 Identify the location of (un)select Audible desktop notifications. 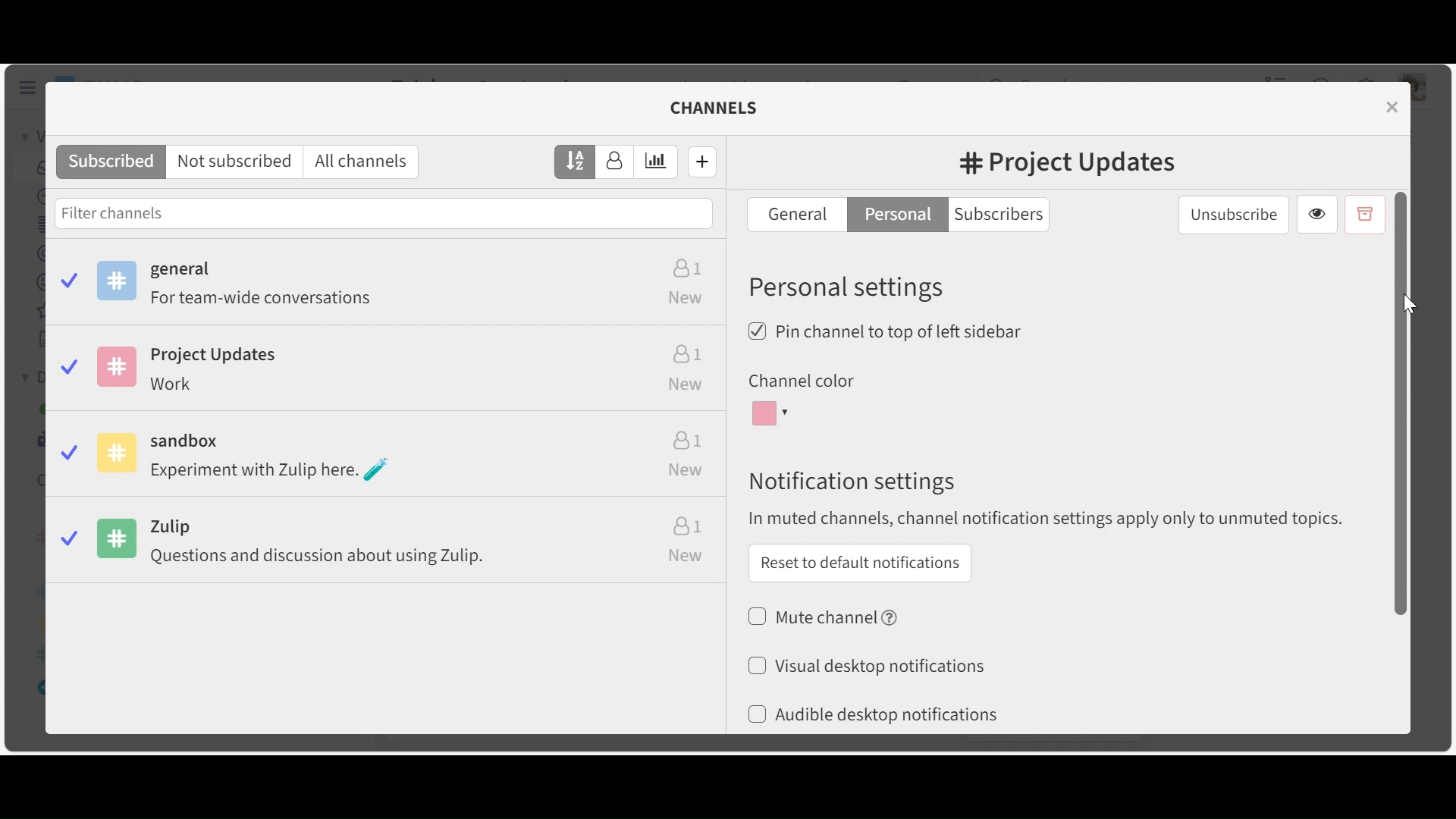
(871, 714).